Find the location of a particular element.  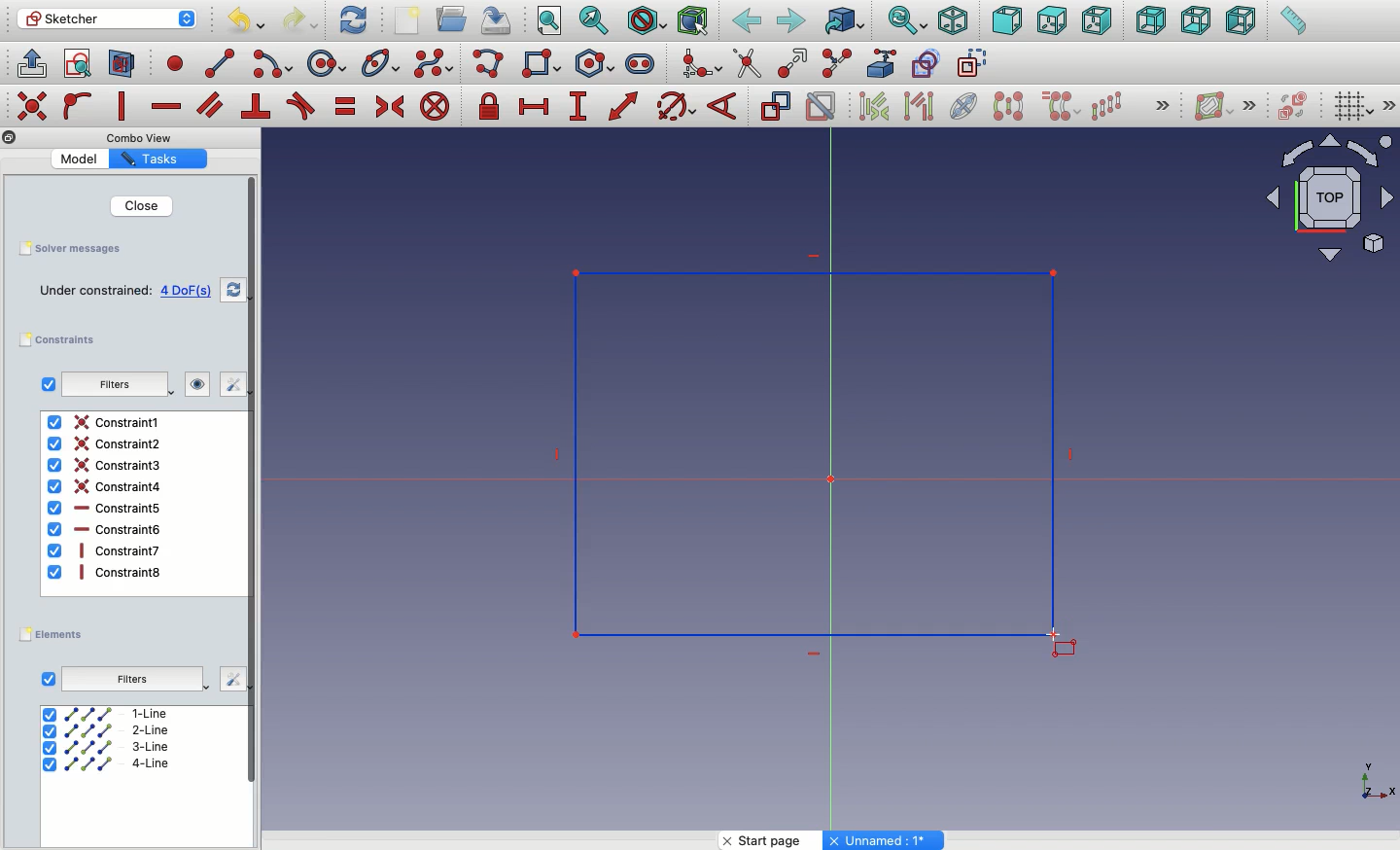

Front is located at coordinates (1007, 22).